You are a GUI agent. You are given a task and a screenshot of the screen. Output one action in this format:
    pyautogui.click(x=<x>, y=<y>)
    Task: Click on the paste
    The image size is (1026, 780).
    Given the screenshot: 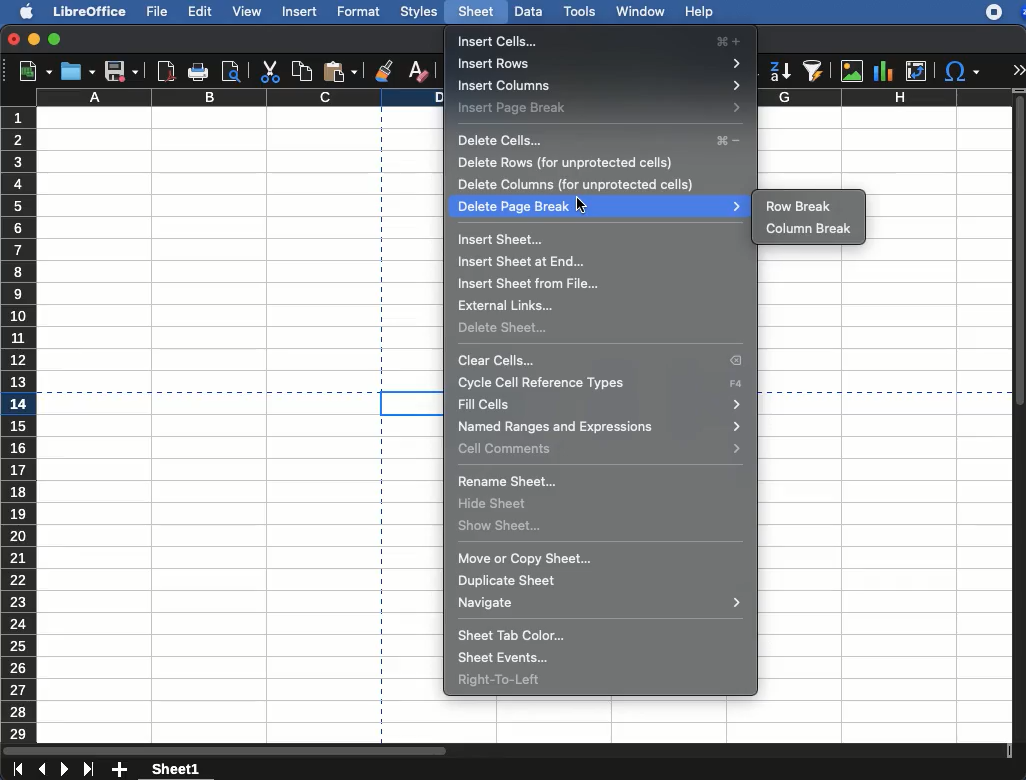 What is the action you would take?
    pyautogui.click(x=343, y=70)
    